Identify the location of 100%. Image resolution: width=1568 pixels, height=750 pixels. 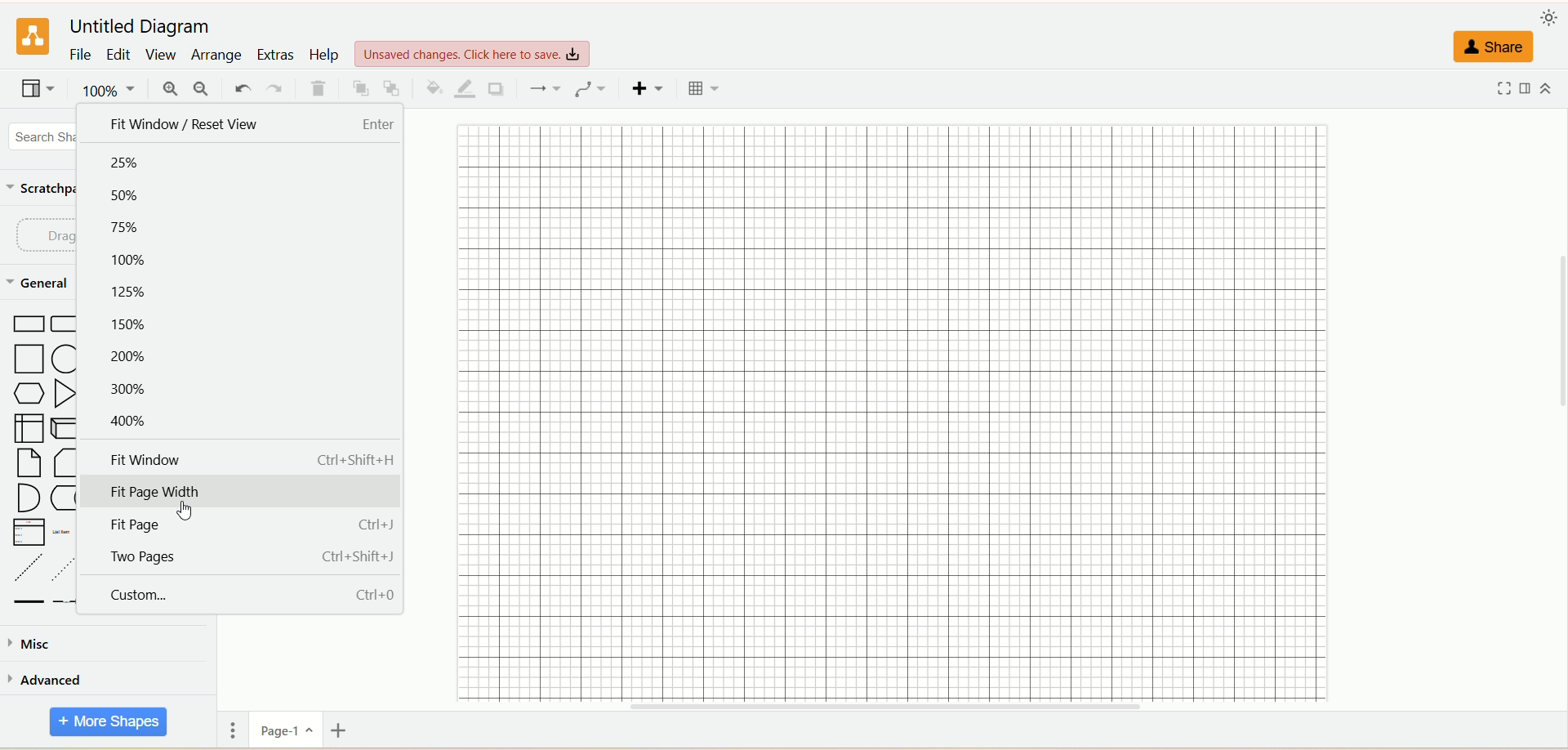
(127, 256).